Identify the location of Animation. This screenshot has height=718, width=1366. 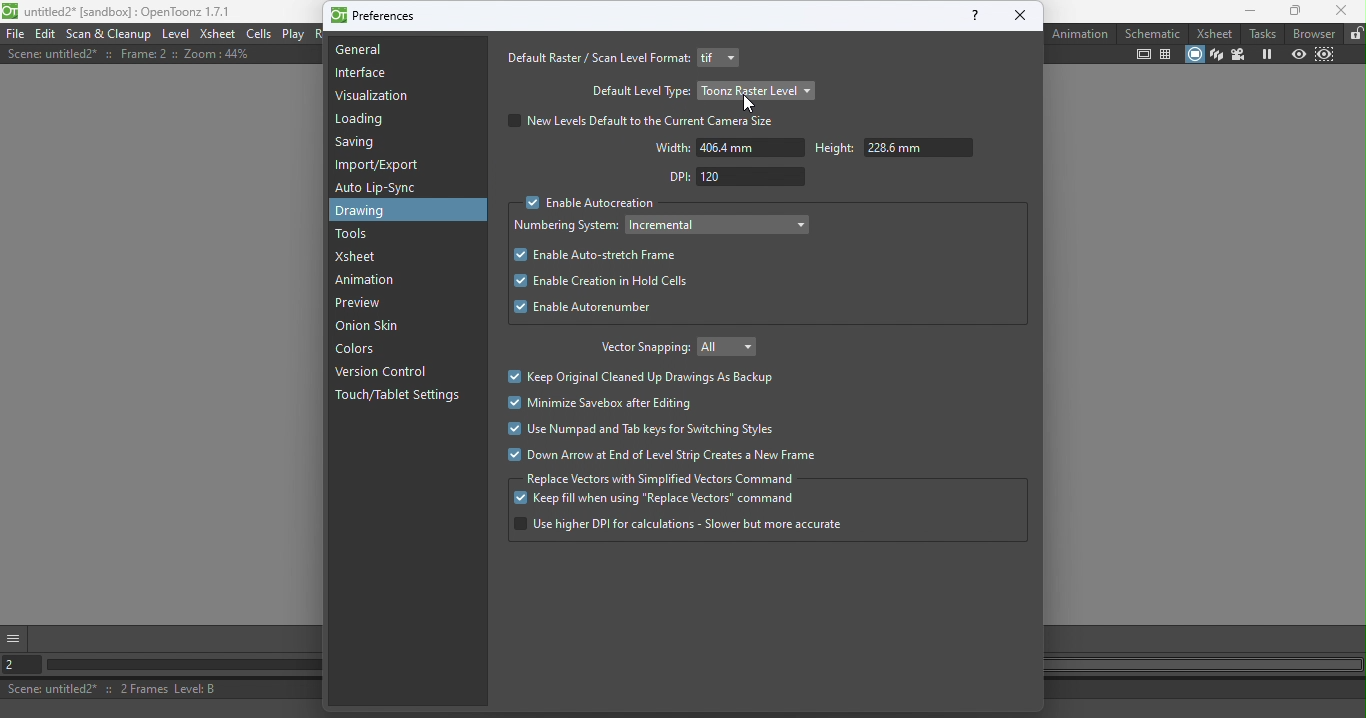
(369, 280).